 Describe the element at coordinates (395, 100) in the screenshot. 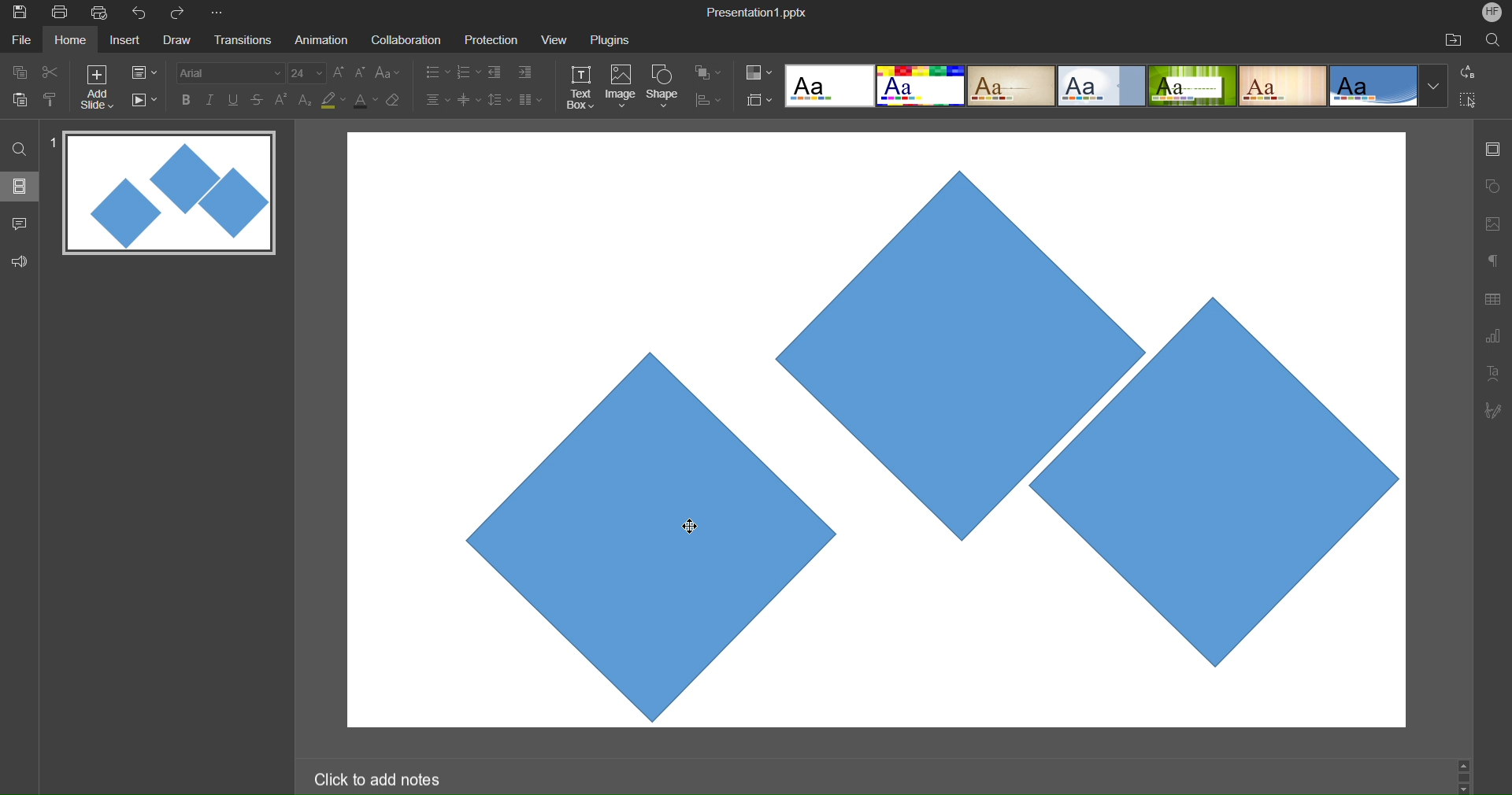

I see `Erase Style` at that location.